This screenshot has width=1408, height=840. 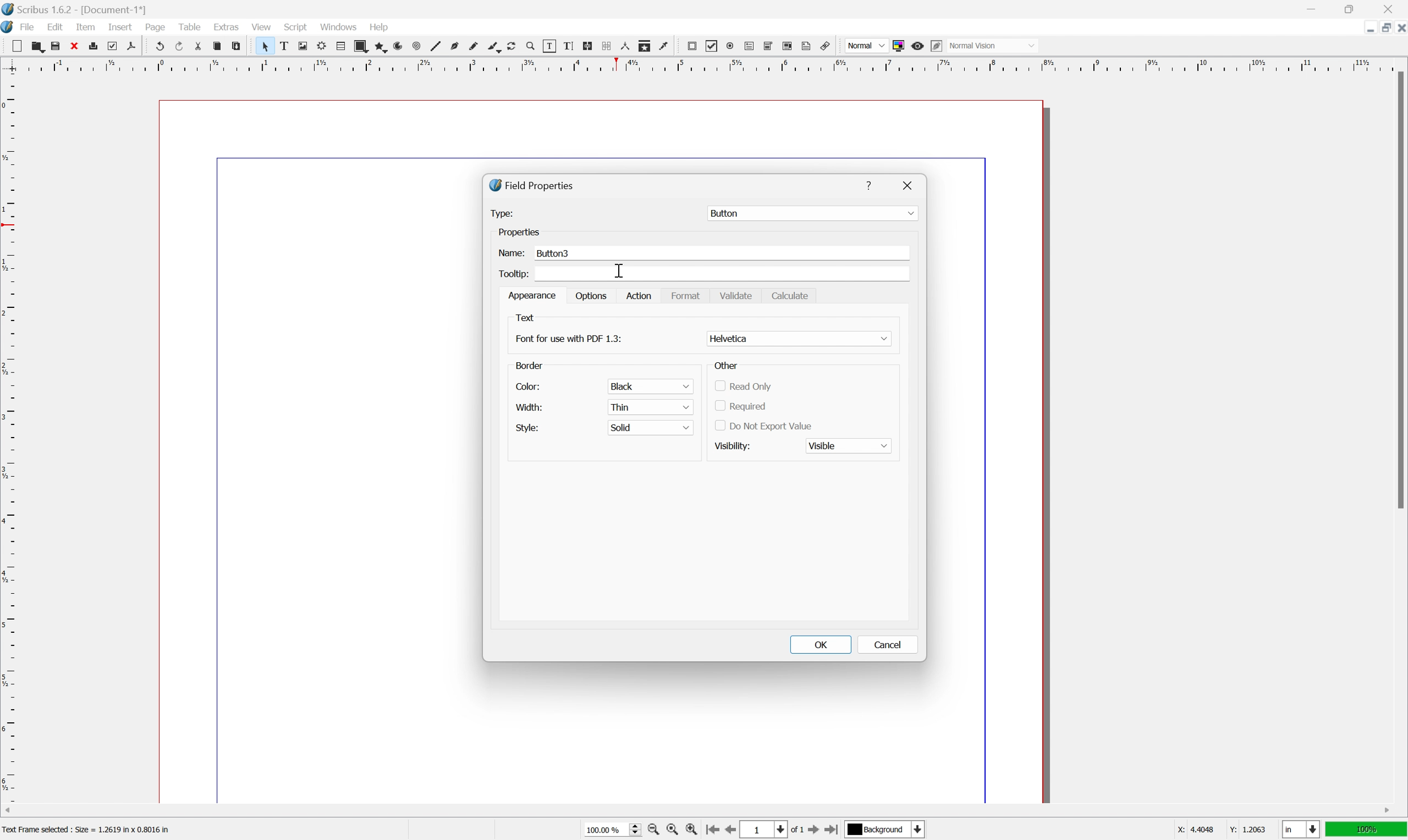 I want to click on ruler, so click(x=700, y=65).